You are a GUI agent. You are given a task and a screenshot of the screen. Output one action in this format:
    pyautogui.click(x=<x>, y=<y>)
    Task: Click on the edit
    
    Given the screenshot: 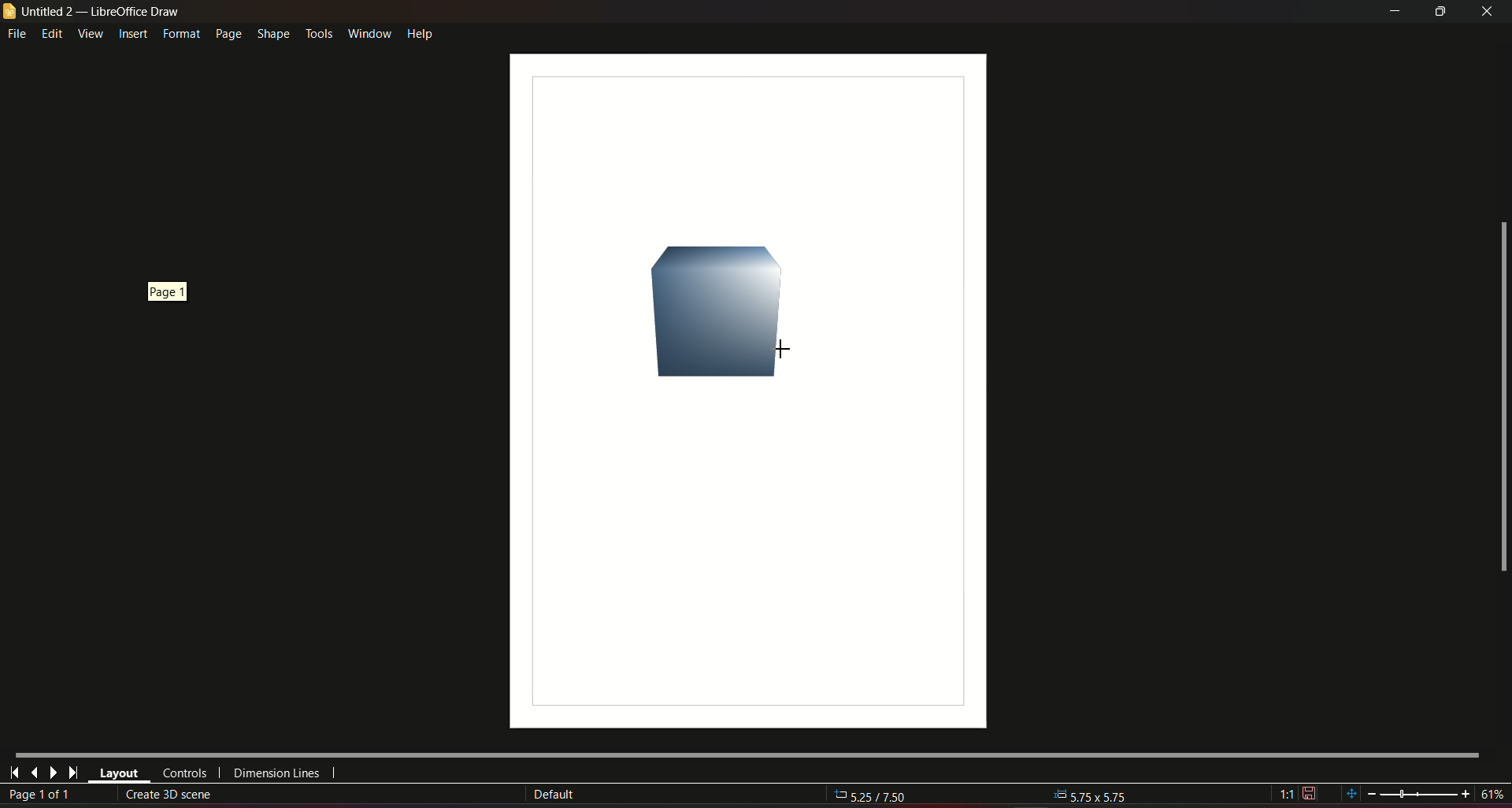 What is the action you would take?
    pyautogui.click(x=53, y=33)
    